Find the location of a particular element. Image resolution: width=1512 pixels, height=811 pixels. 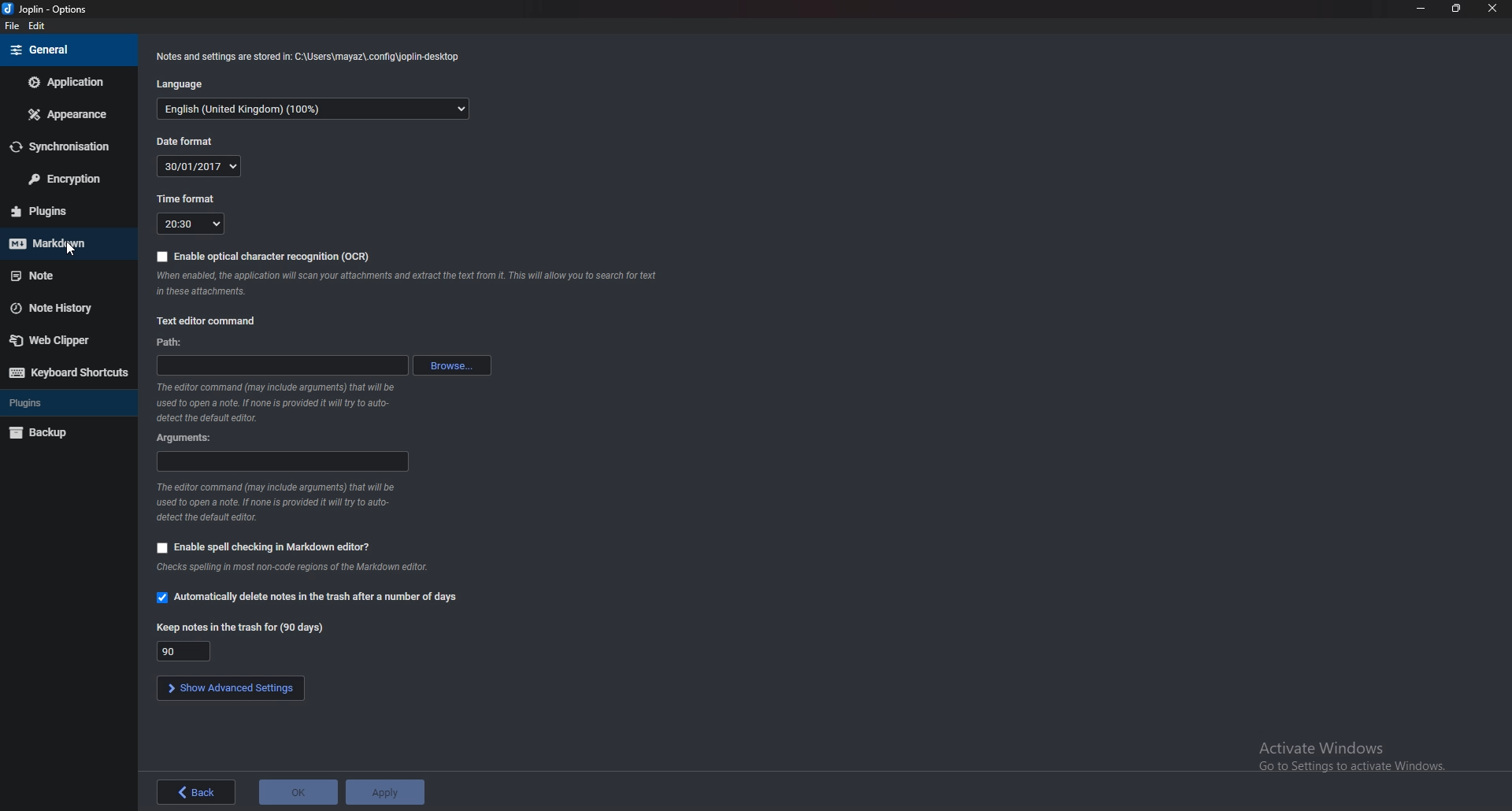

Date format is located at coordinates (200, 166).